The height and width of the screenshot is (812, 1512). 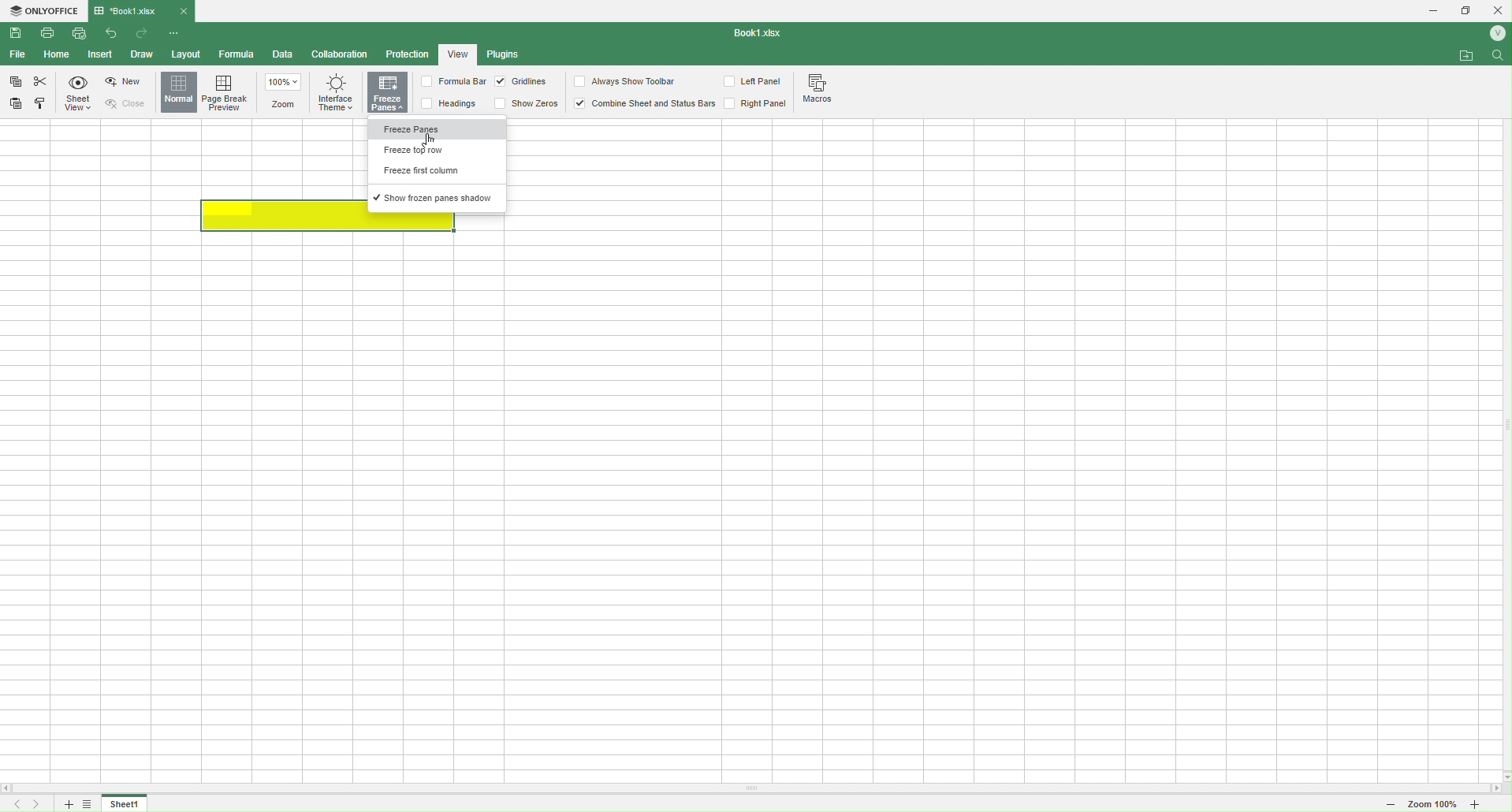 I want to click on Close, so click(x=184, y=10).